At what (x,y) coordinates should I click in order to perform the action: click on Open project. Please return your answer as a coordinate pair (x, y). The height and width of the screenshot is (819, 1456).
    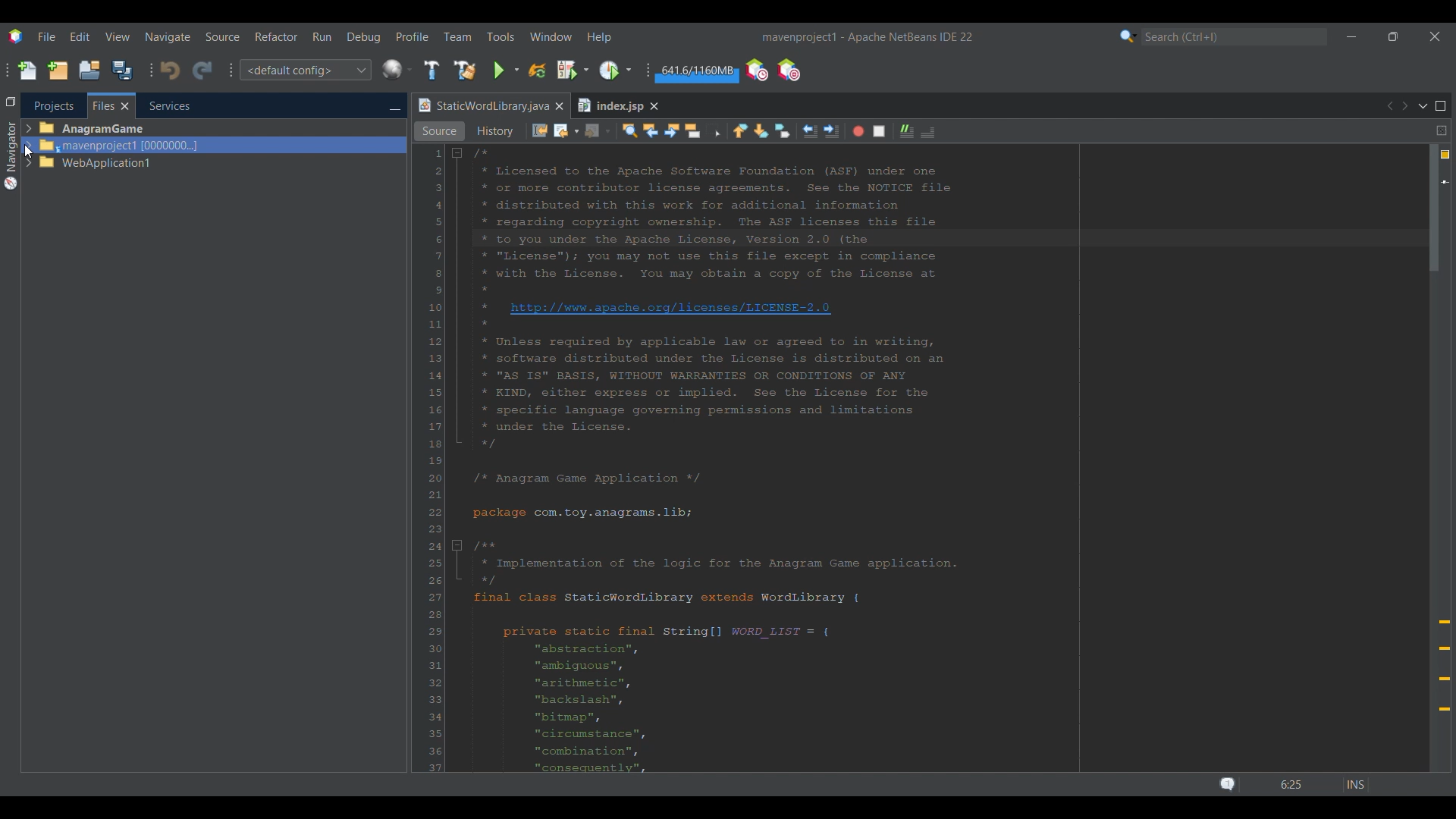
    Looking at the image, I should click on (89, 70).